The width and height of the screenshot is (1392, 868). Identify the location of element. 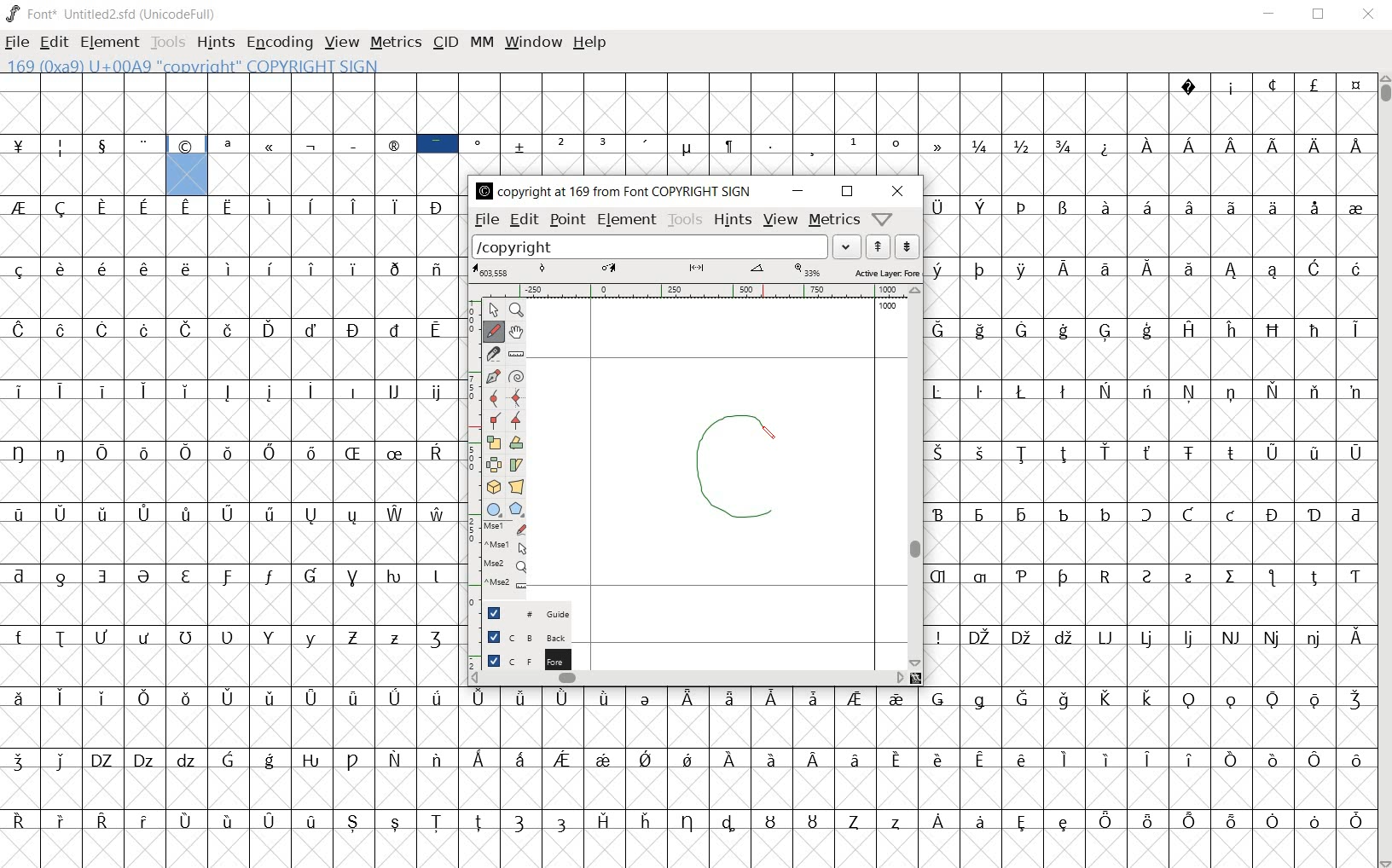
(627, 220).